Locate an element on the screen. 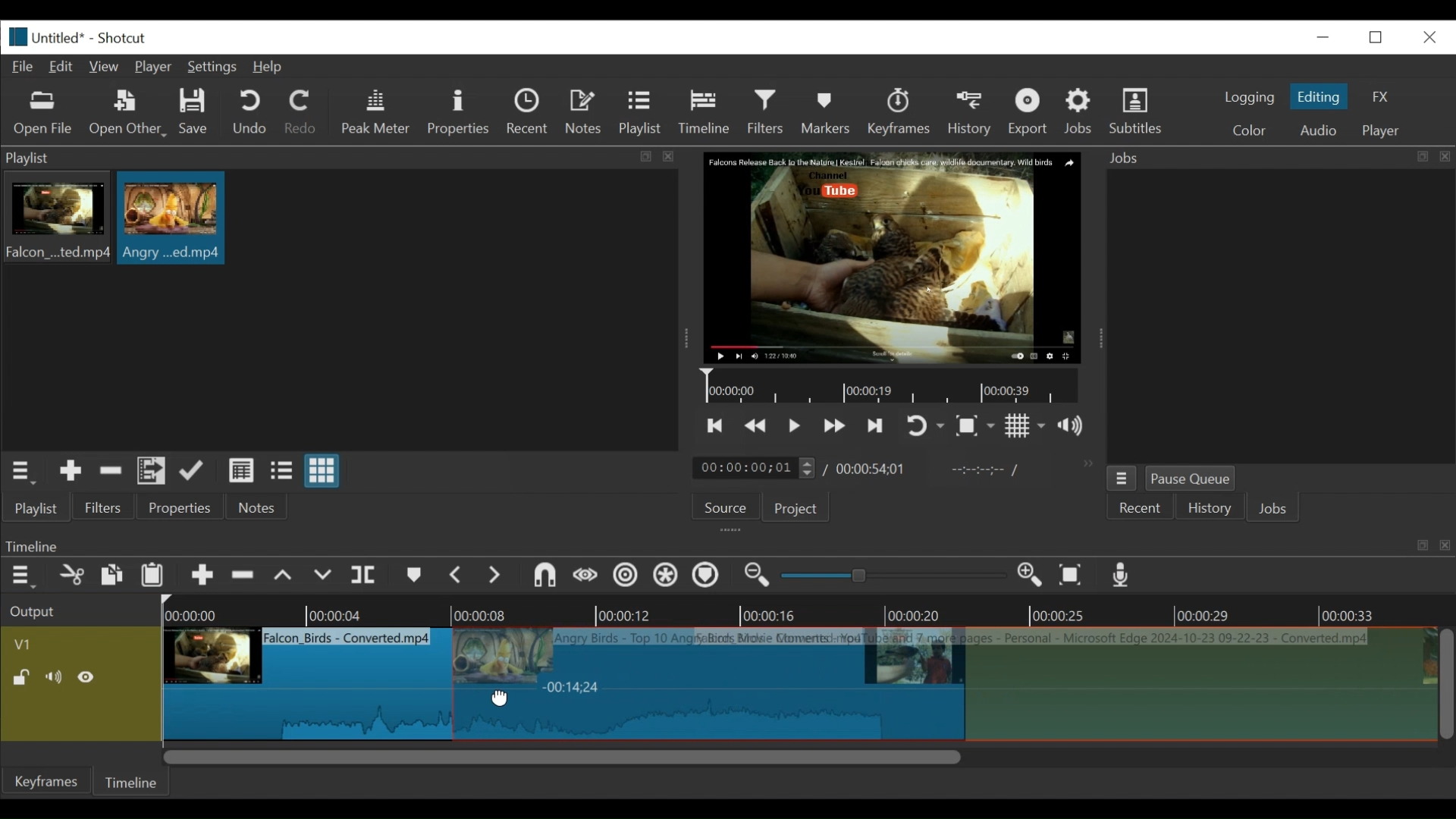 The image size is (1456, 819). View is located at coordinates (105, 67).